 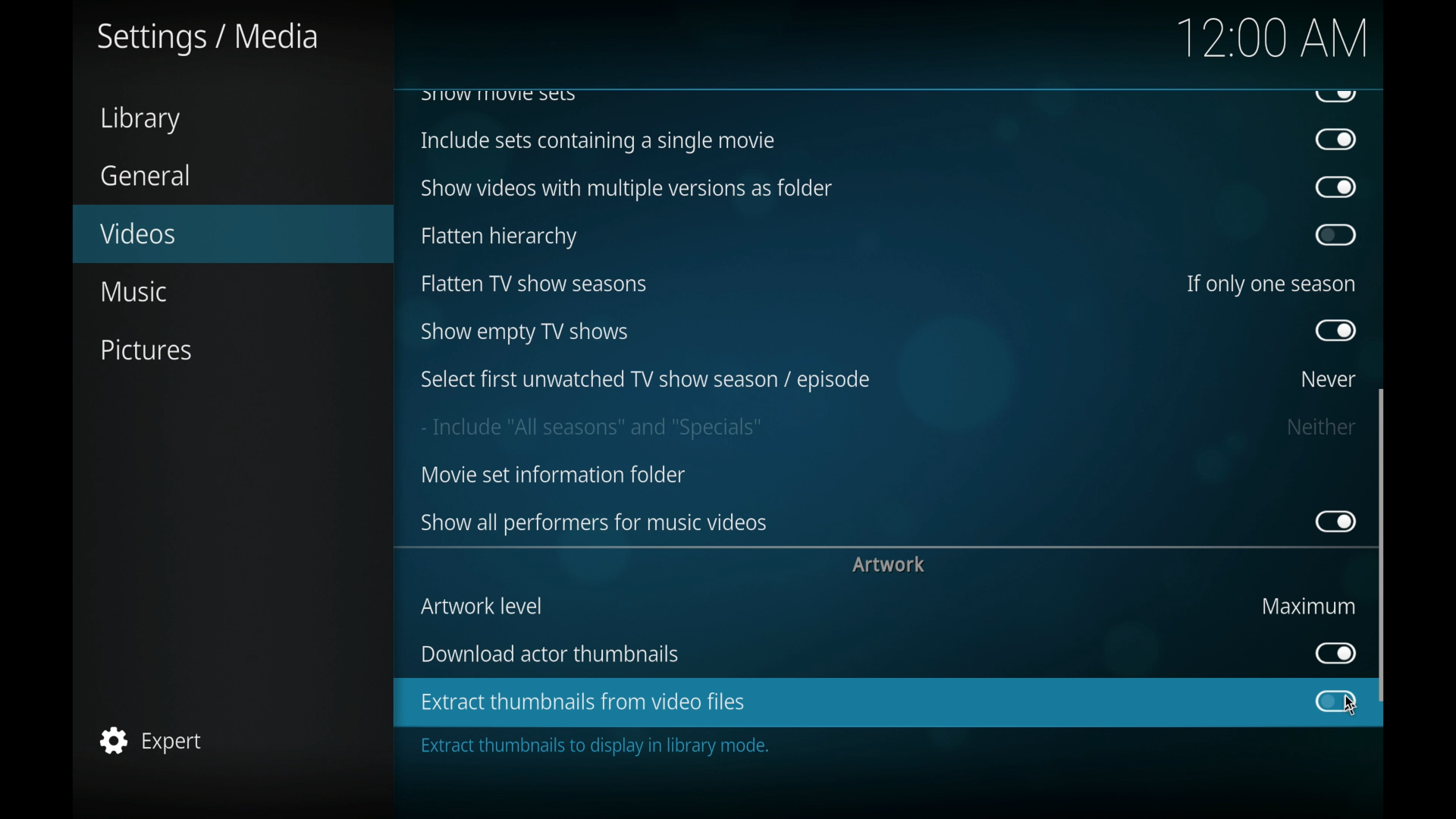 What do you see at coordinates (595, 523) in the screenshot?
I see `showallperformers for  music videos` at bounding box center [595, 523].